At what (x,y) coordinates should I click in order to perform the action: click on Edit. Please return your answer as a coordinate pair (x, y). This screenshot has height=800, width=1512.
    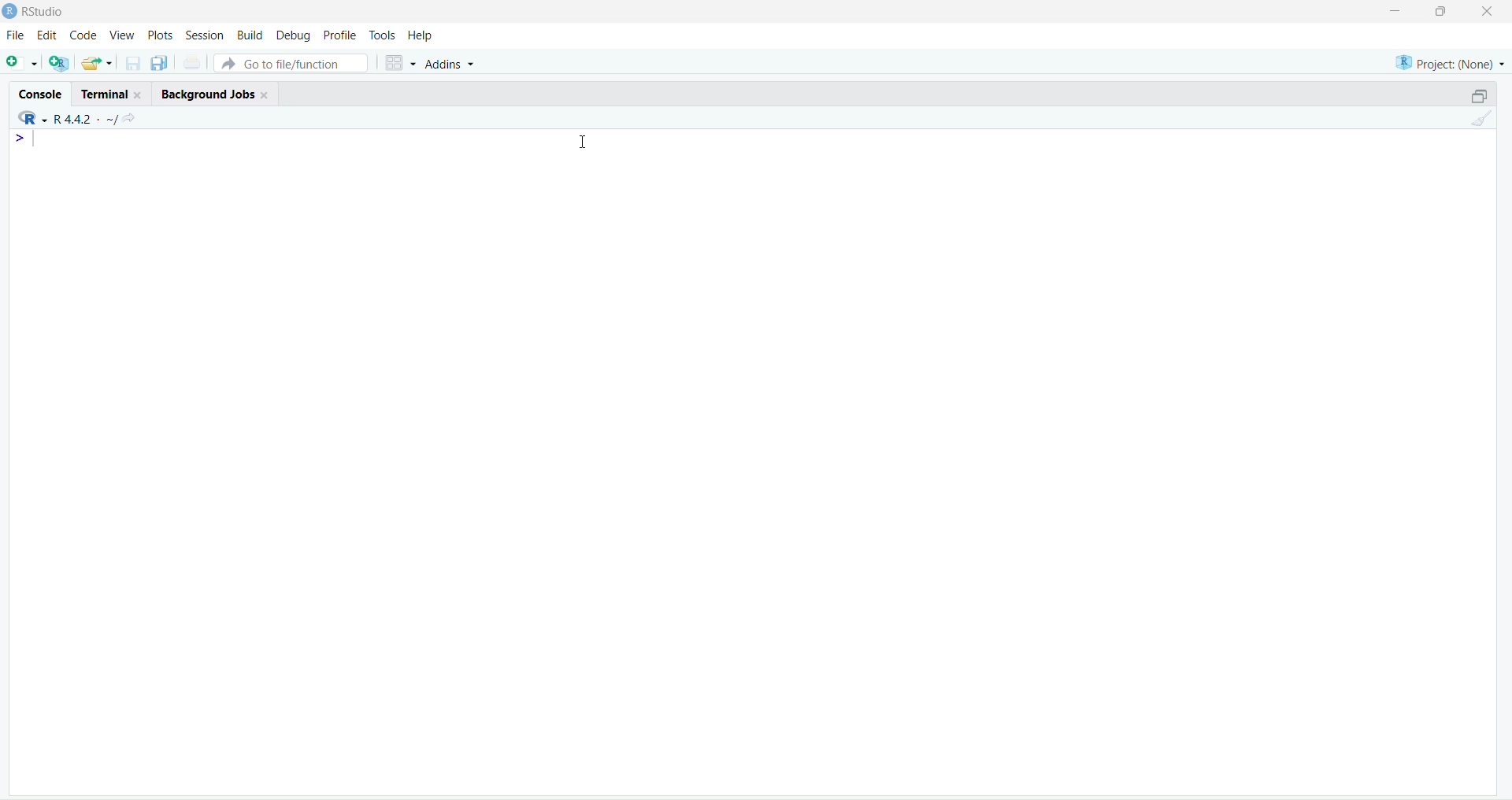
    Looking at the image, I should click on (47, 35).